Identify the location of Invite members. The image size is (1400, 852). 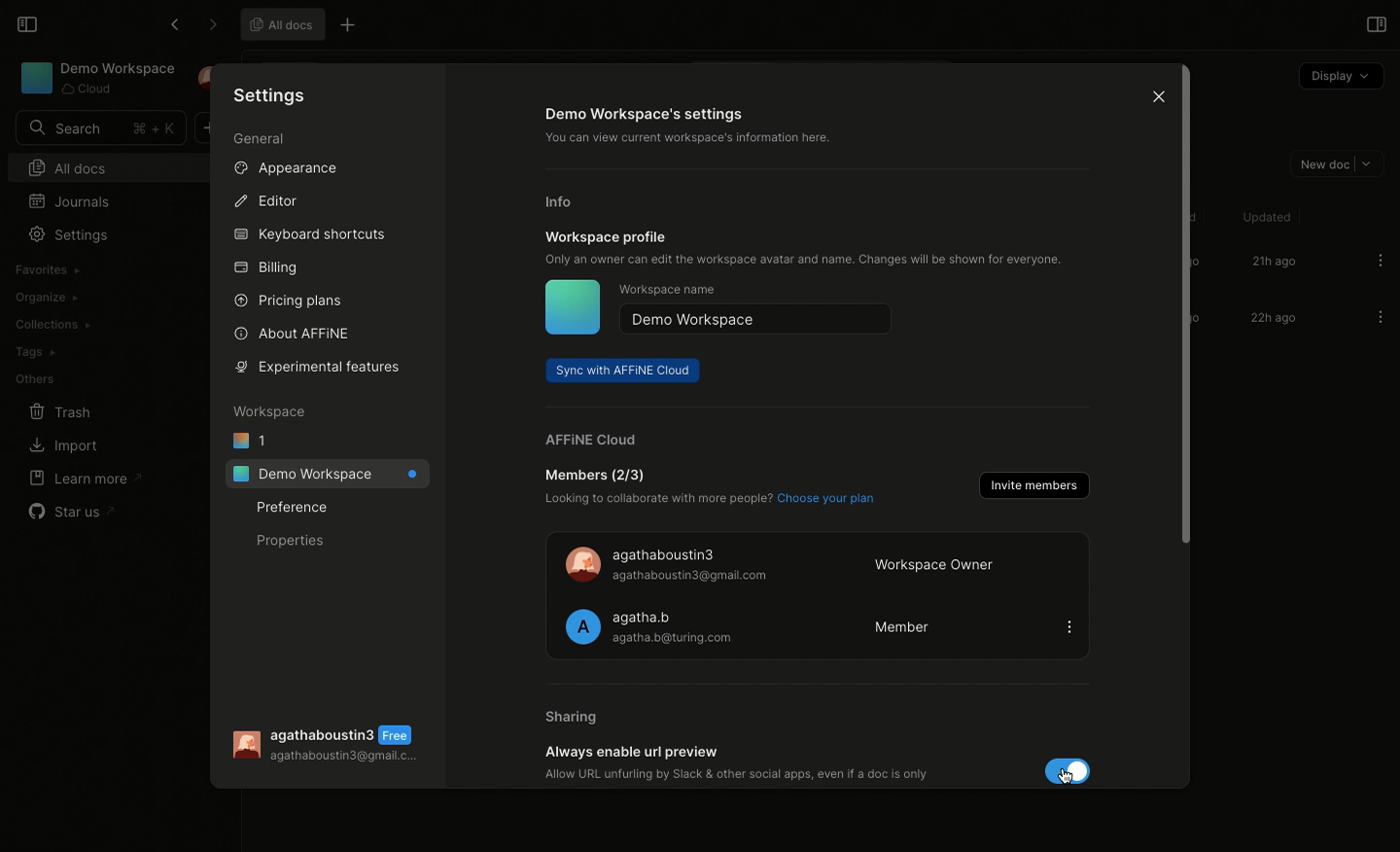
(1032, 485).